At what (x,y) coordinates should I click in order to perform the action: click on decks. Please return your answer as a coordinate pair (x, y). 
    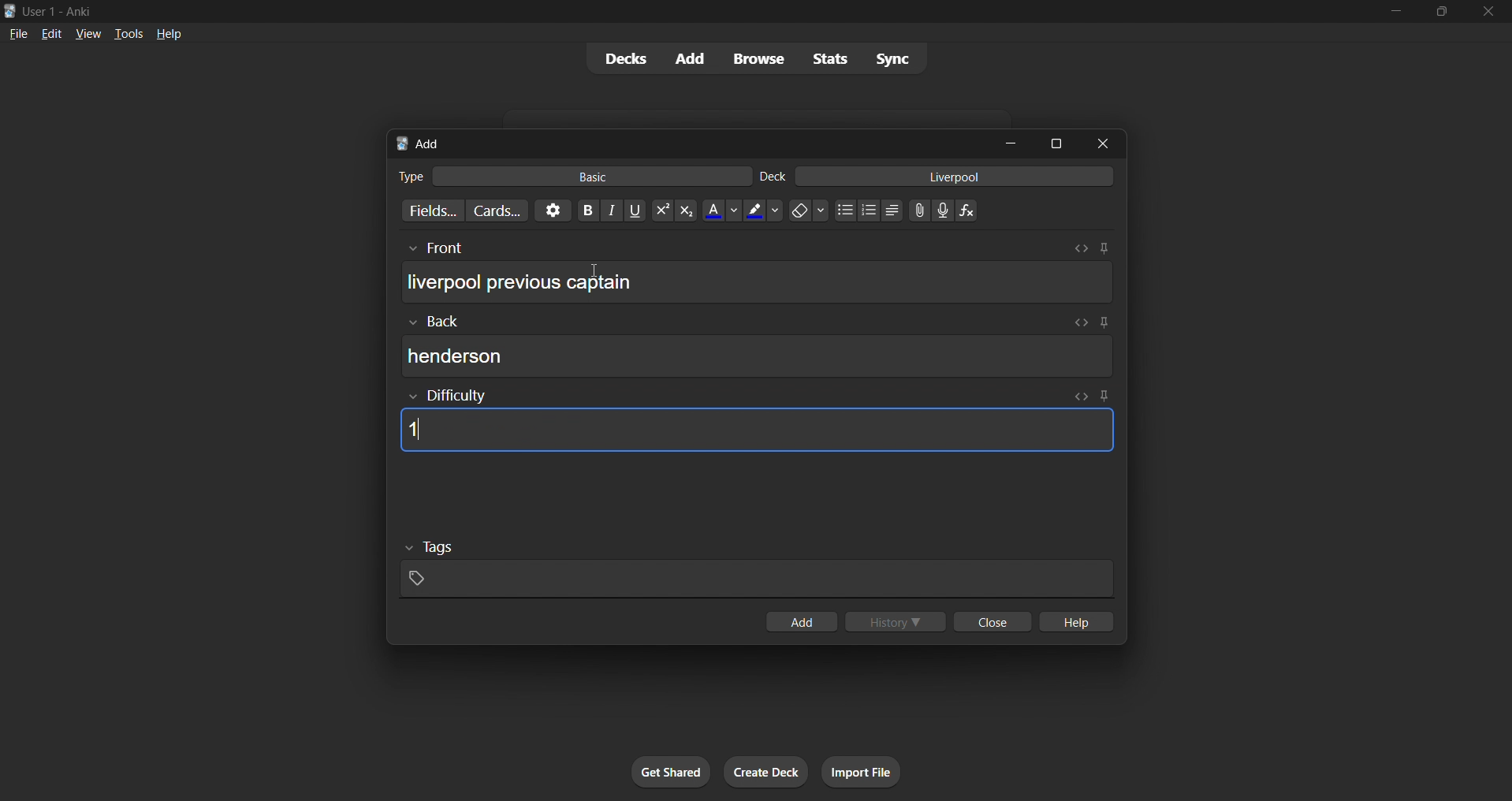
    Looking at the image, I should click on (619, 61).